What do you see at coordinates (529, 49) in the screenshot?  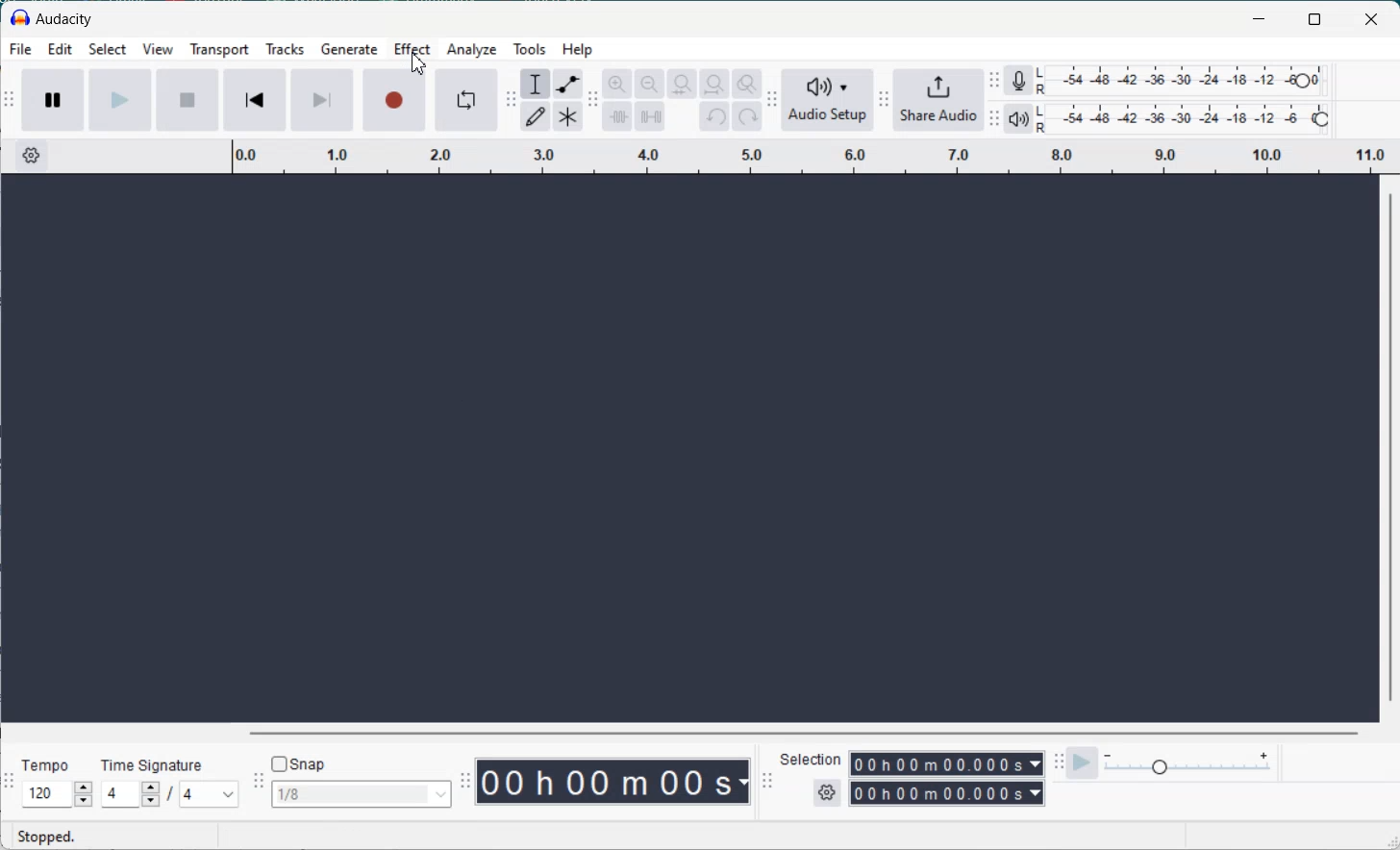 I see `Tools` at bounding box center [529, 49].